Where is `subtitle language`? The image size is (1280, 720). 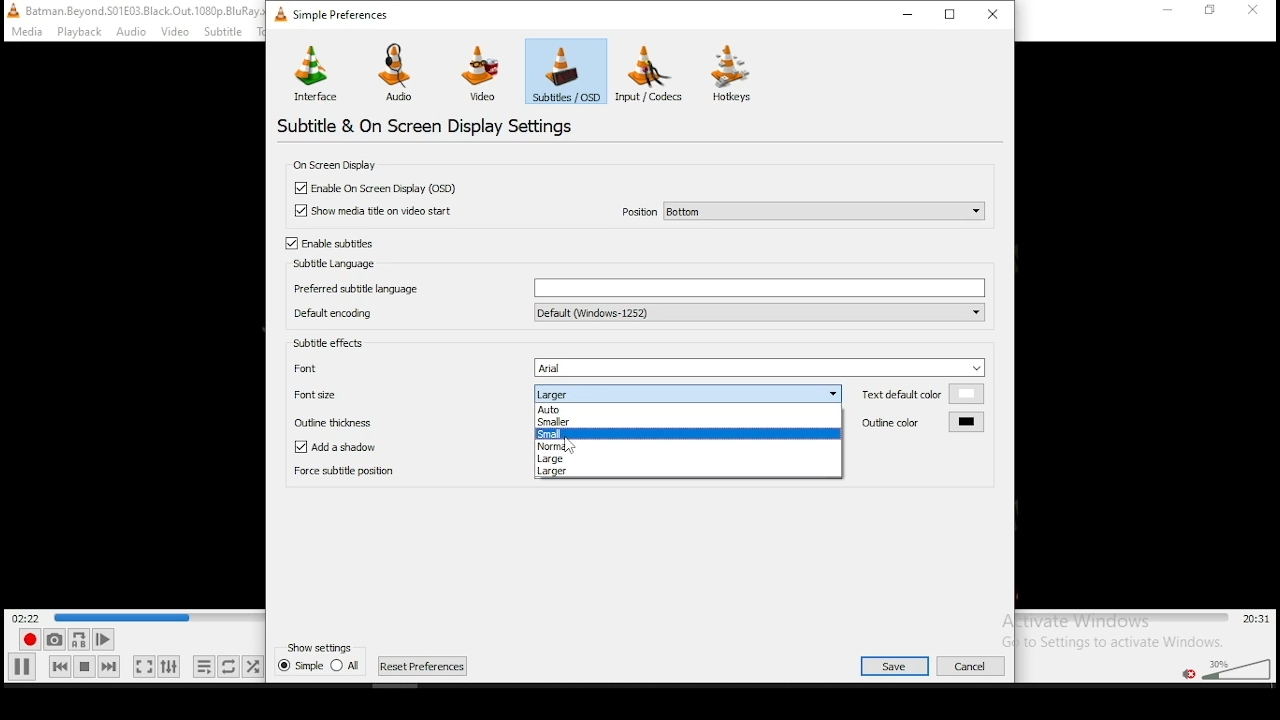
subtitle language is located at coordinates (331, 264).